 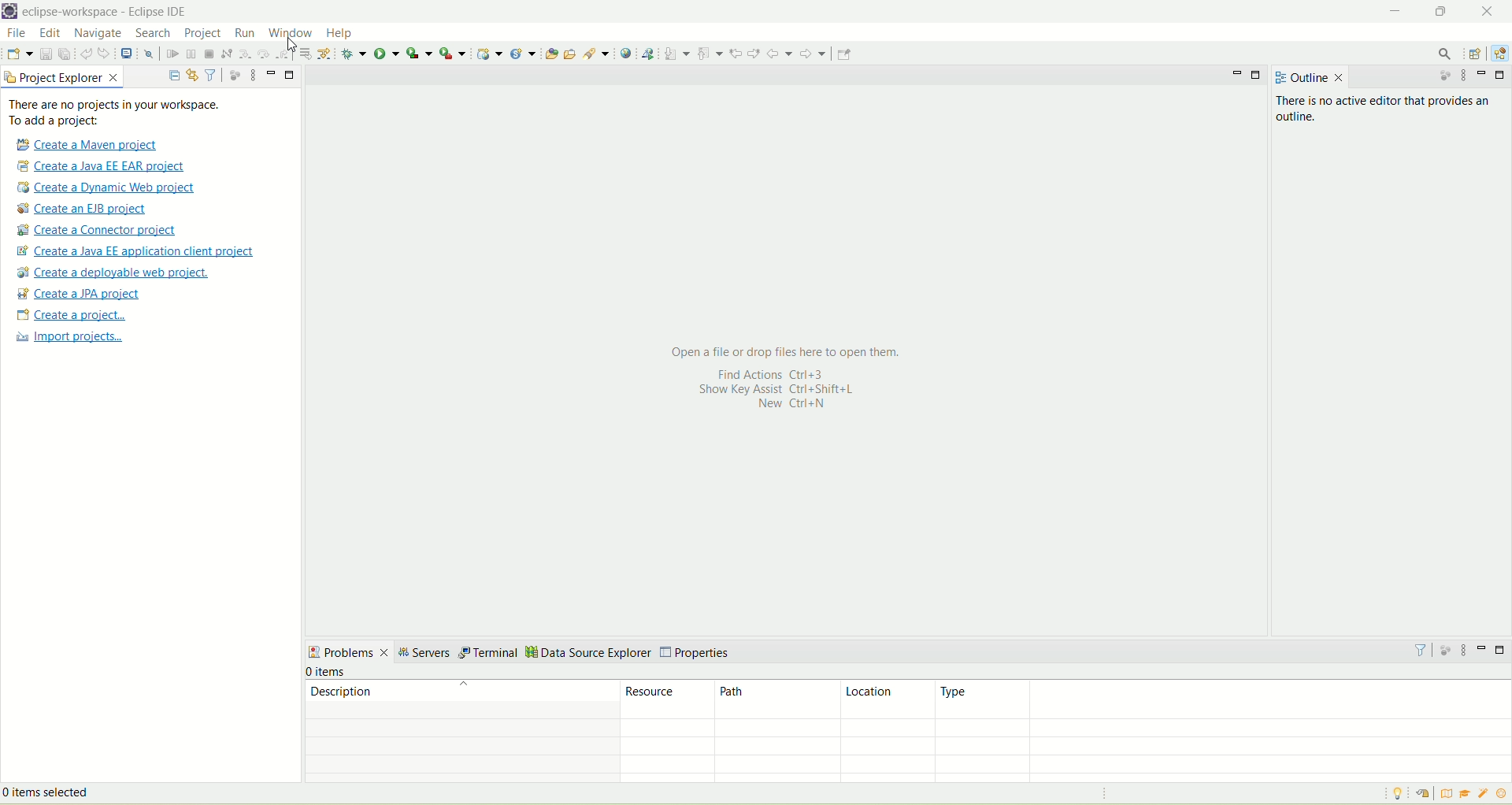 I want to click on debug, so click(x=358, y=54).